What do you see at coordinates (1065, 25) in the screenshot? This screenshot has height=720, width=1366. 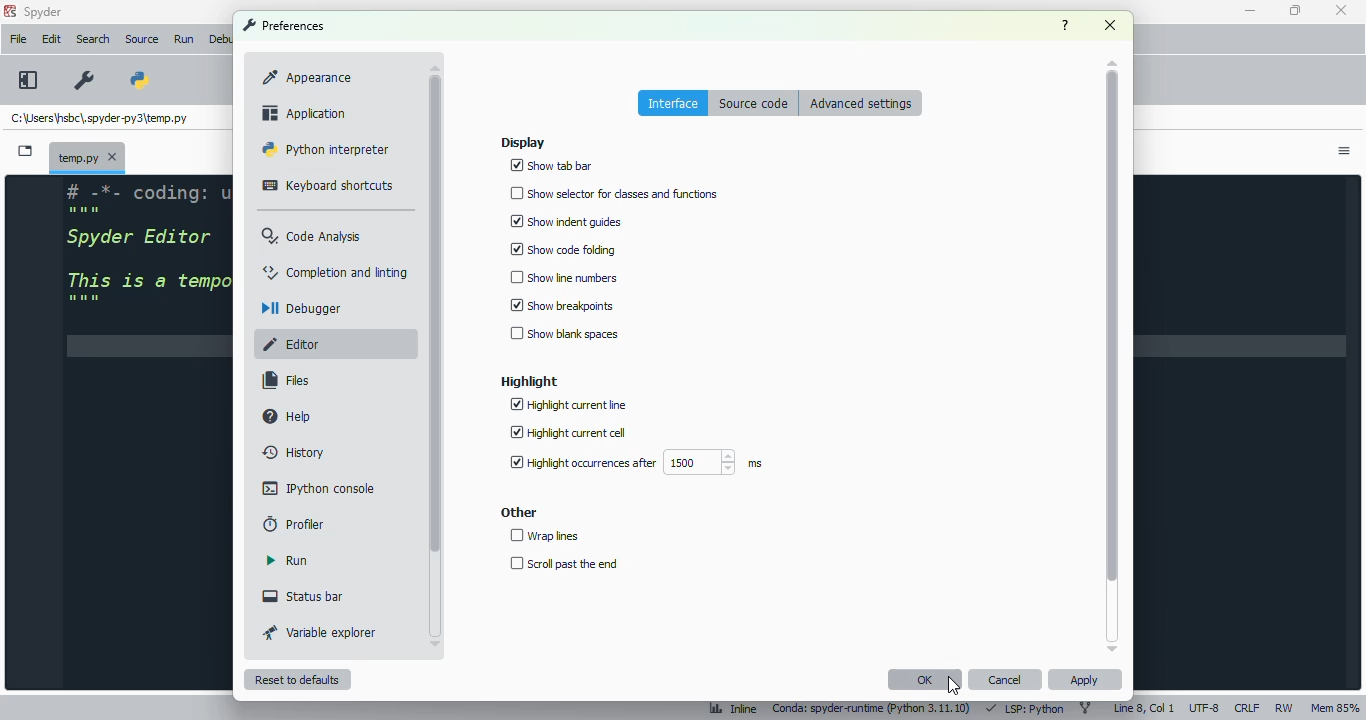 I see `help` at bounding box center [1065, 25].